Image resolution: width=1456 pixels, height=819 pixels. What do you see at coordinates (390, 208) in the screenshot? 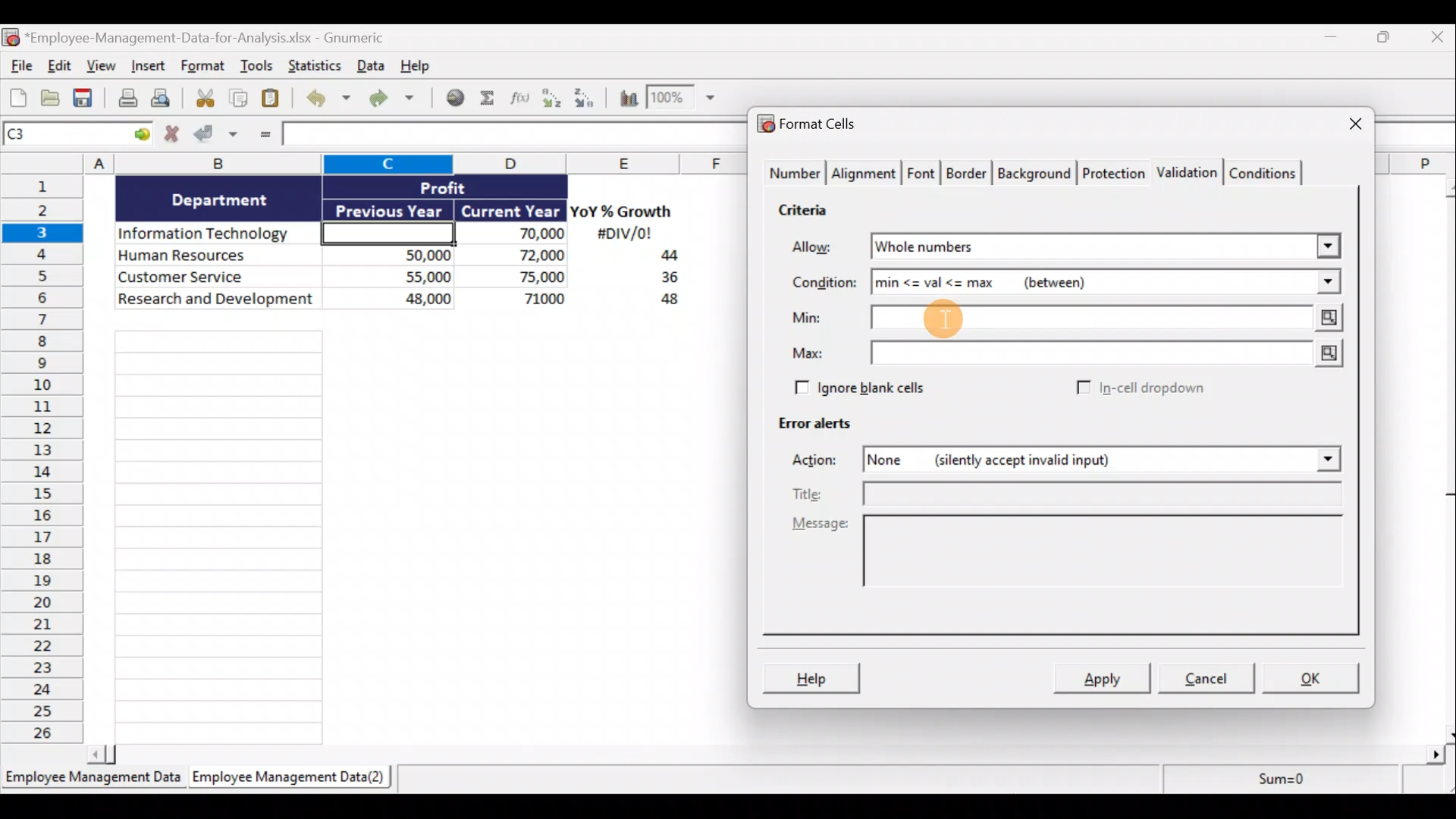
I see `Previous Year` at bounding box center [390, 208].